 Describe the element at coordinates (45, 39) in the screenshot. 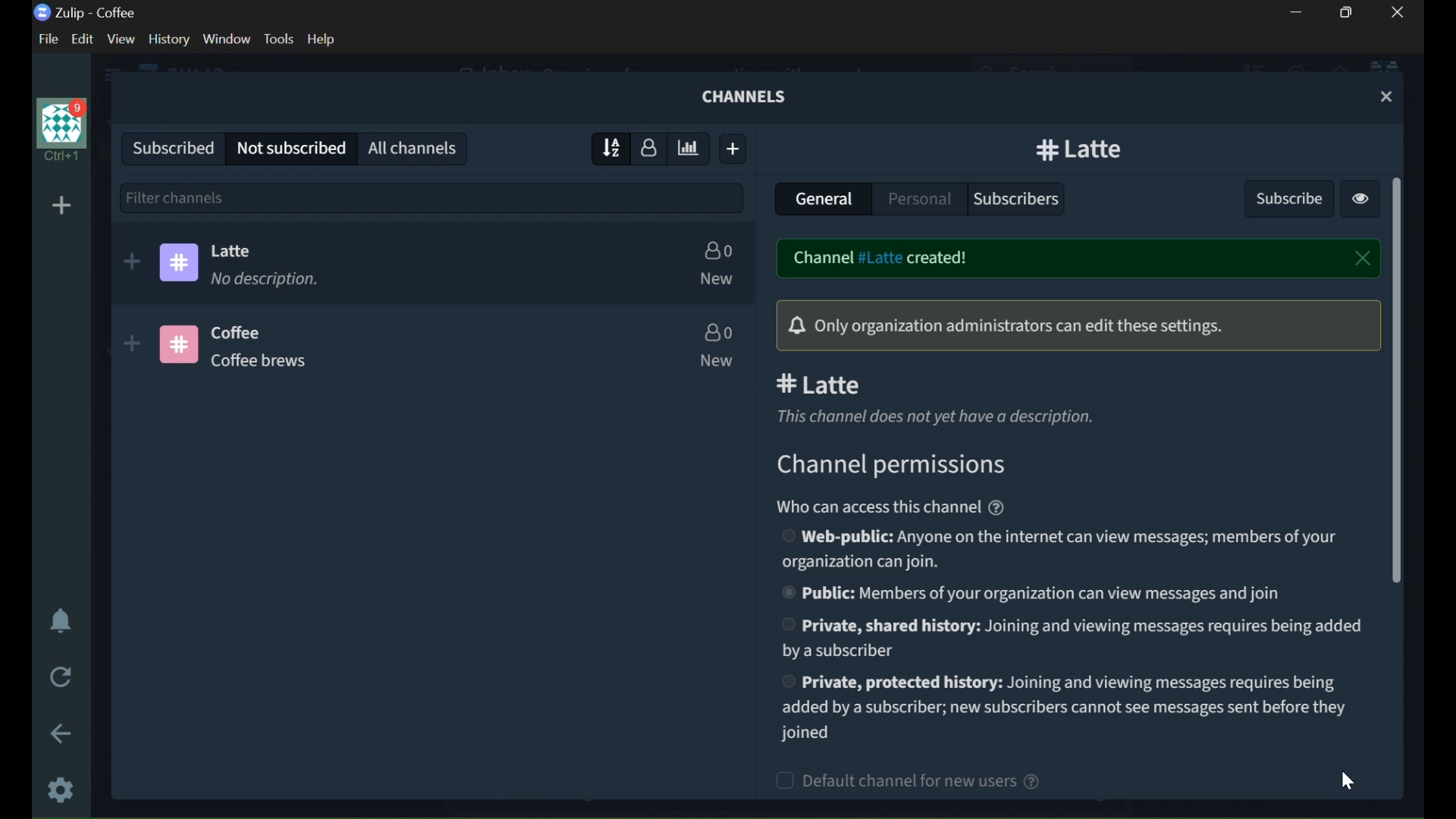

I see `FILE` at that location.